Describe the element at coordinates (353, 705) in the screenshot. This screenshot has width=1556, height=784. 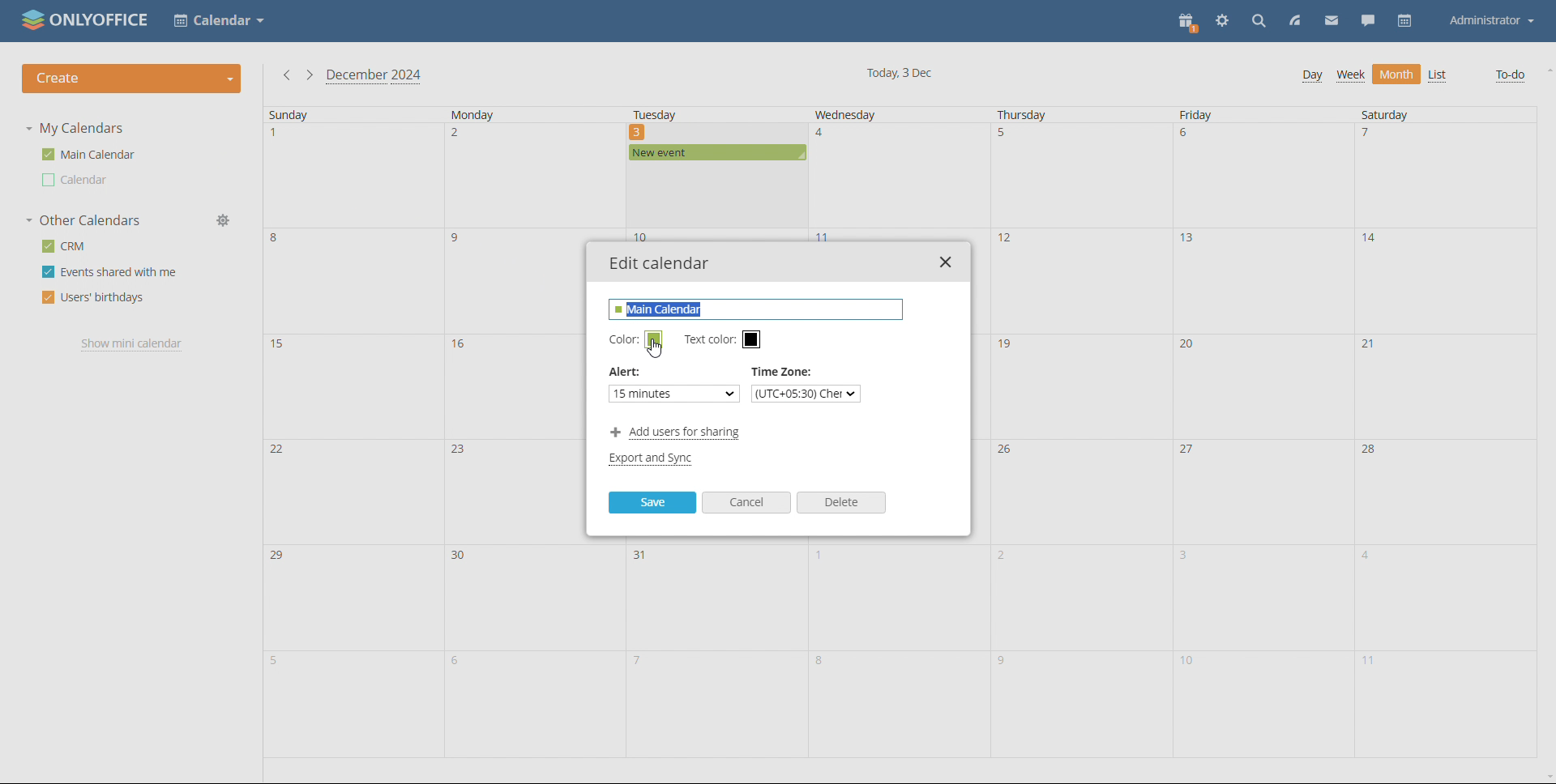
I see `date` at that location.